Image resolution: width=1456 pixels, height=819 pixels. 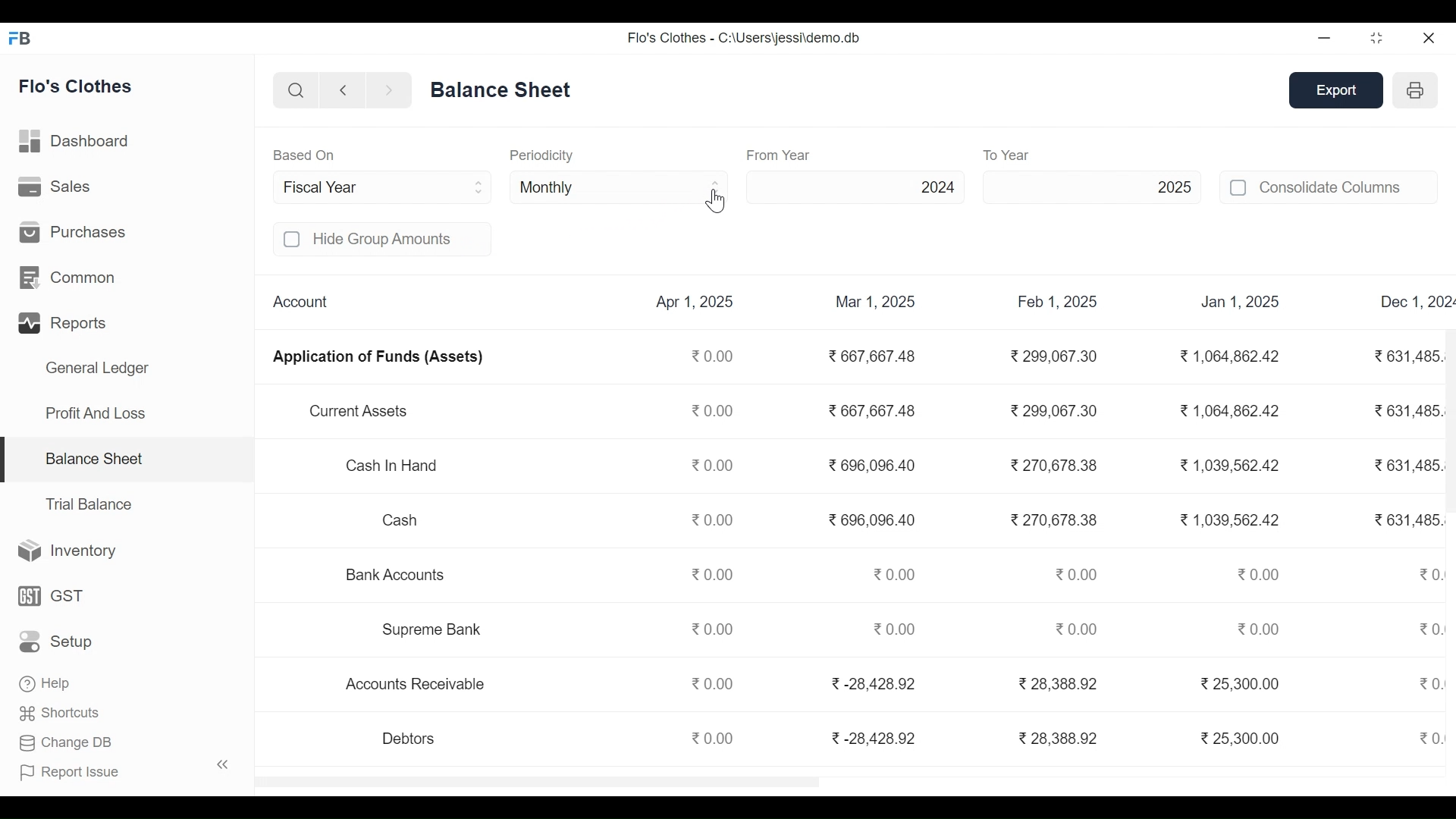 What do you see at coordinates (1058, 303) in the screenshot?
I see `Feb 1, 2025` at bounding box center [1058, 303].